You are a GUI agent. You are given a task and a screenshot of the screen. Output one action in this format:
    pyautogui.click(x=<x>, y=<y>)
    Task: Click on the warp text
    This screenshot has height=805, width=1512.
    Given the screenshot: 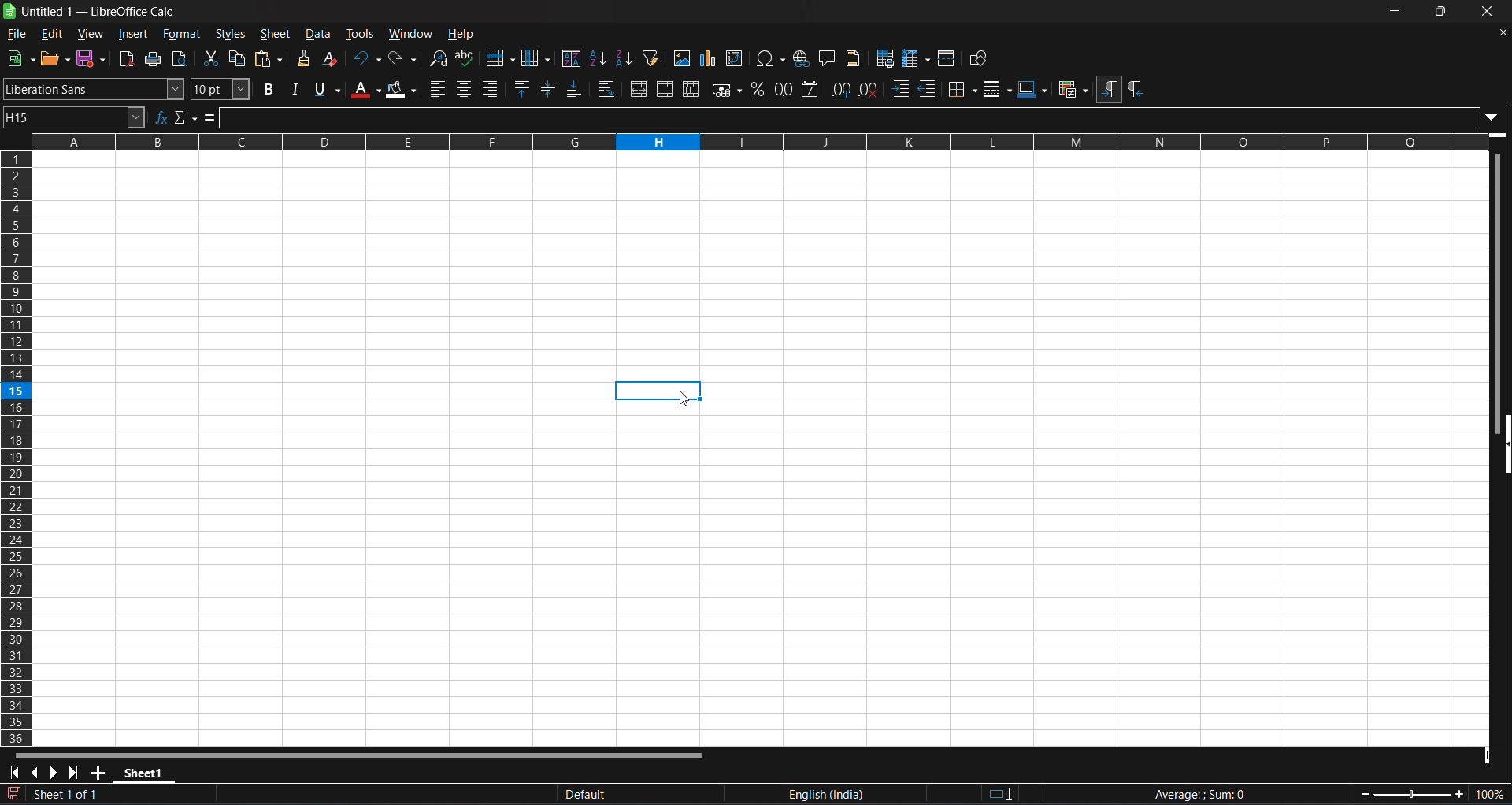 What is the action you would take?
    pyautogui.click(x=608, y=90)
    